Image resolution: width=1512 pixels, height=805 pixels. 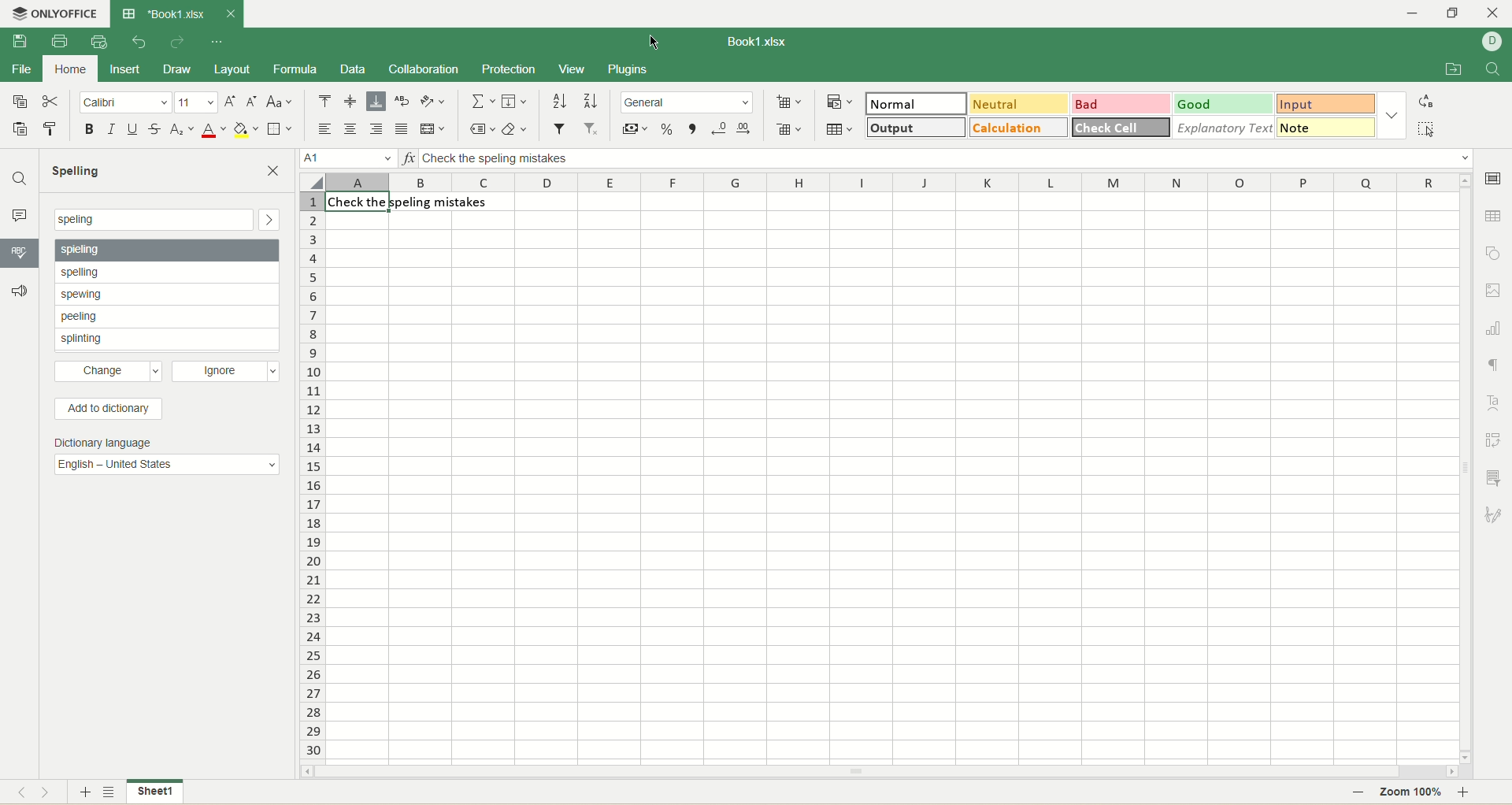 I want to click on select all, so click(x=1427, y=128).